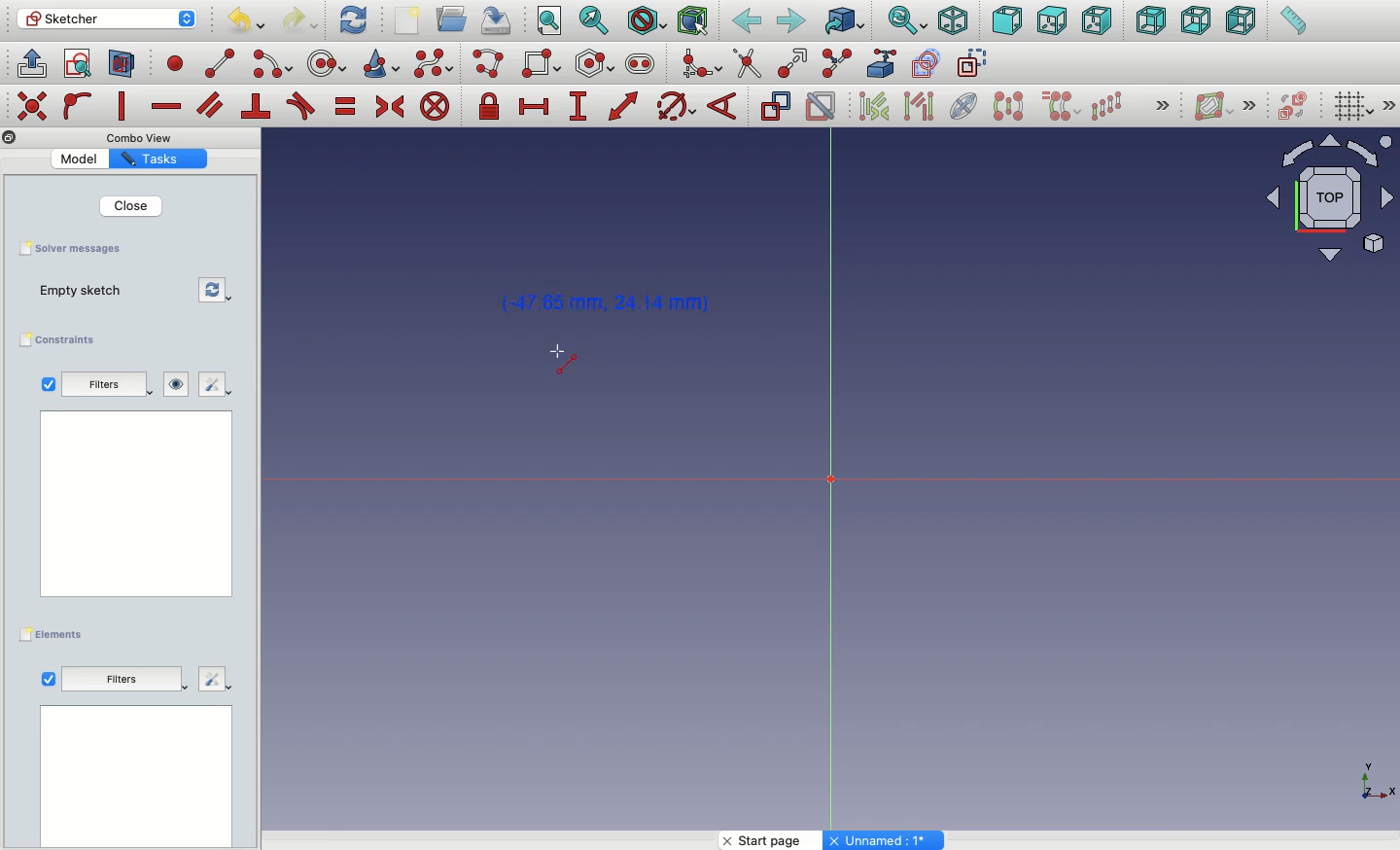  I want to click on , so click(1370, 780).